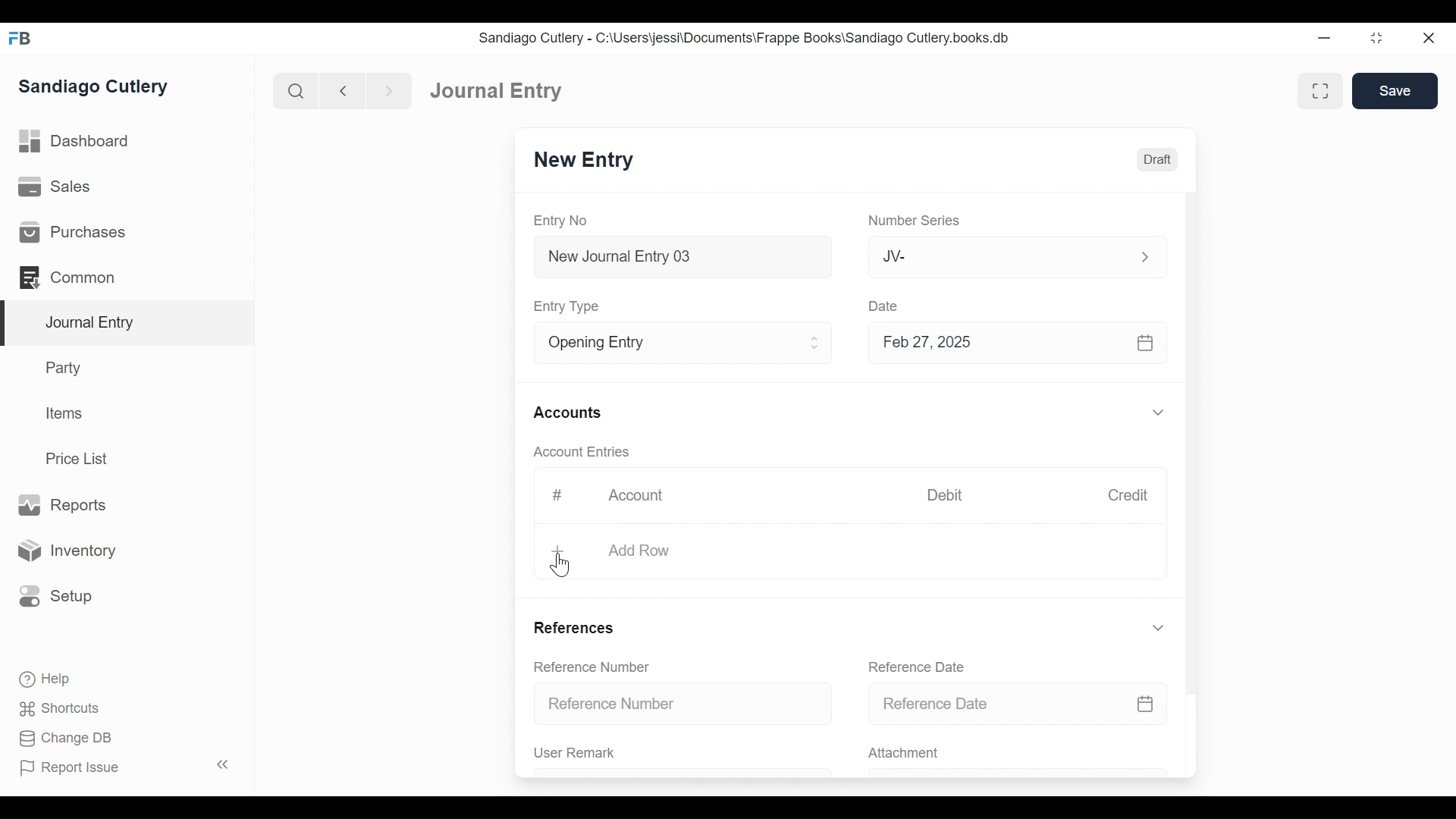 The image size is (1456, 819). I want to click on Expand, so click(1160, 628).